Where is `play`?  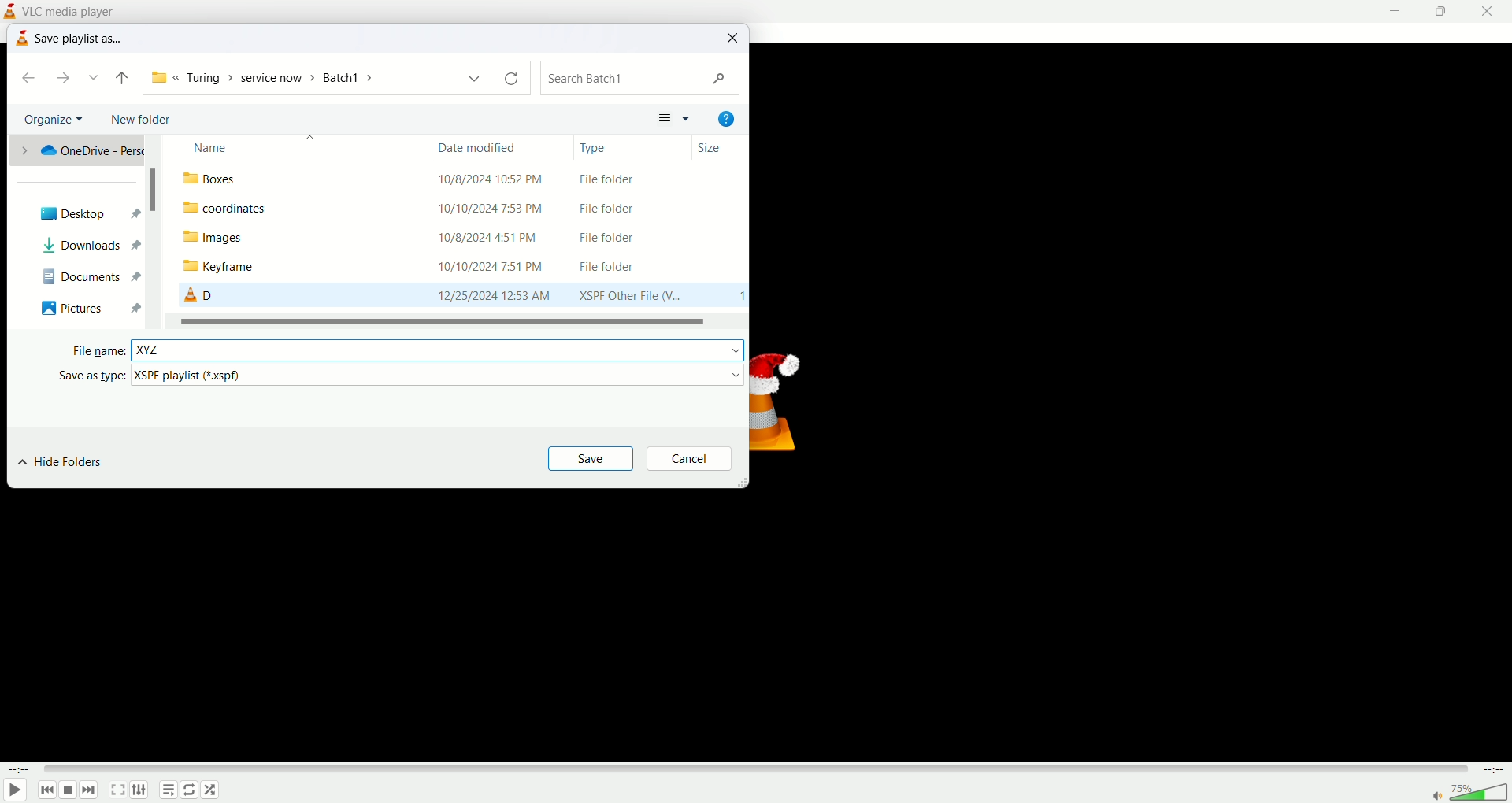 play is located at coordinates (17, 789).